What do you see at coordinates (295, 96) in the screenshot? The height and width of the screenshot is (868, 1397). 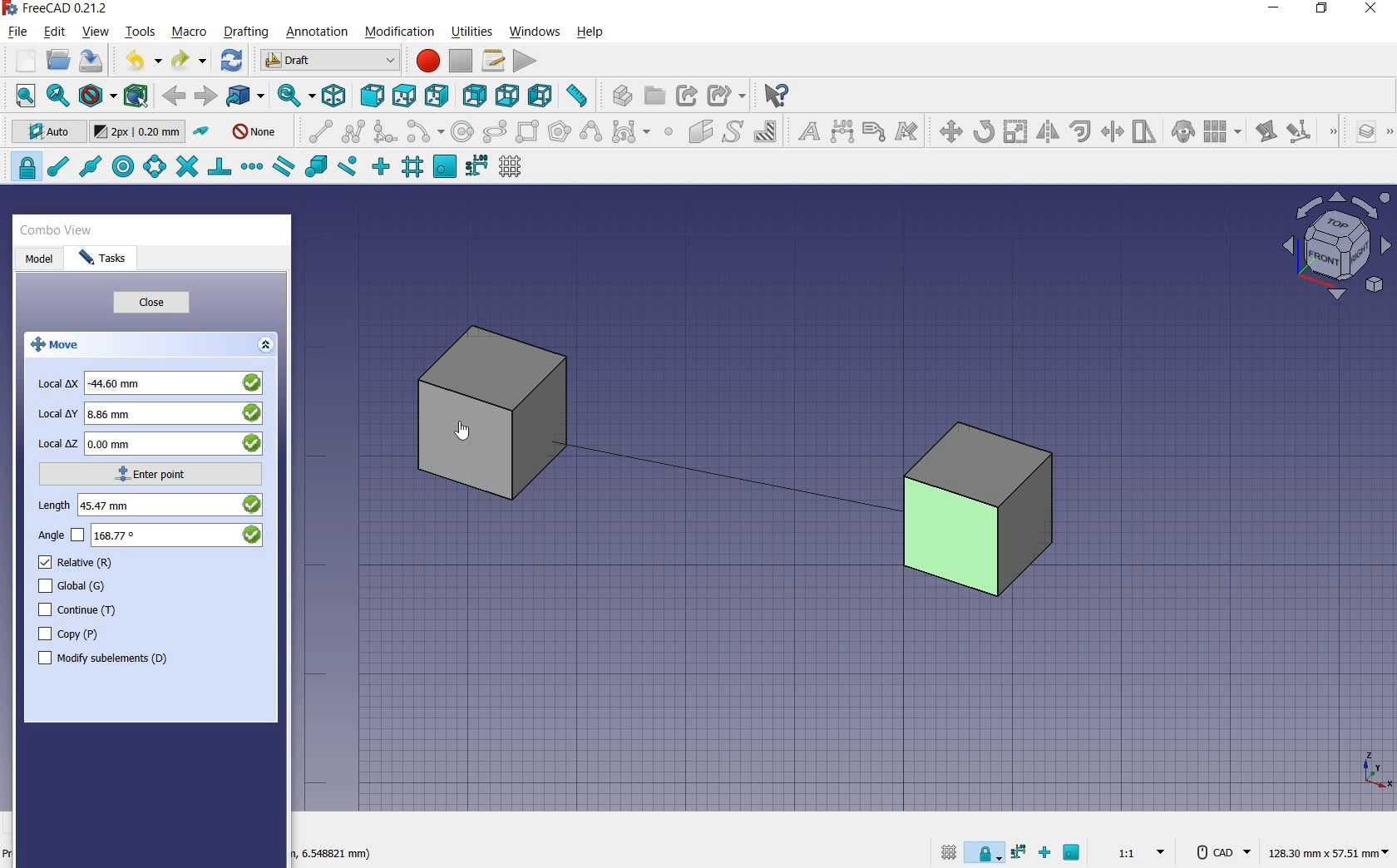 I see `sync view` at bounding box center [295, 96].